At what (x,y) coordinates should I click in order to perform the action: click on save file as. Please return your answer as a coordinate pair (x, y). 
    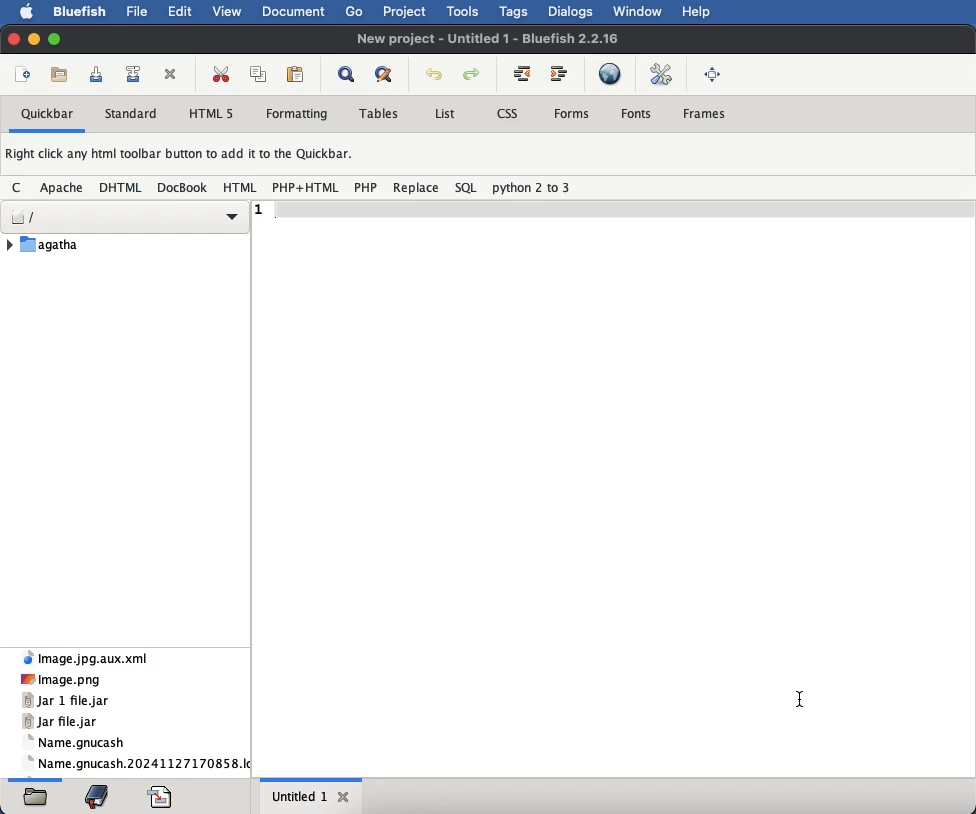
    Looking at the image, I should click on (135, 74).